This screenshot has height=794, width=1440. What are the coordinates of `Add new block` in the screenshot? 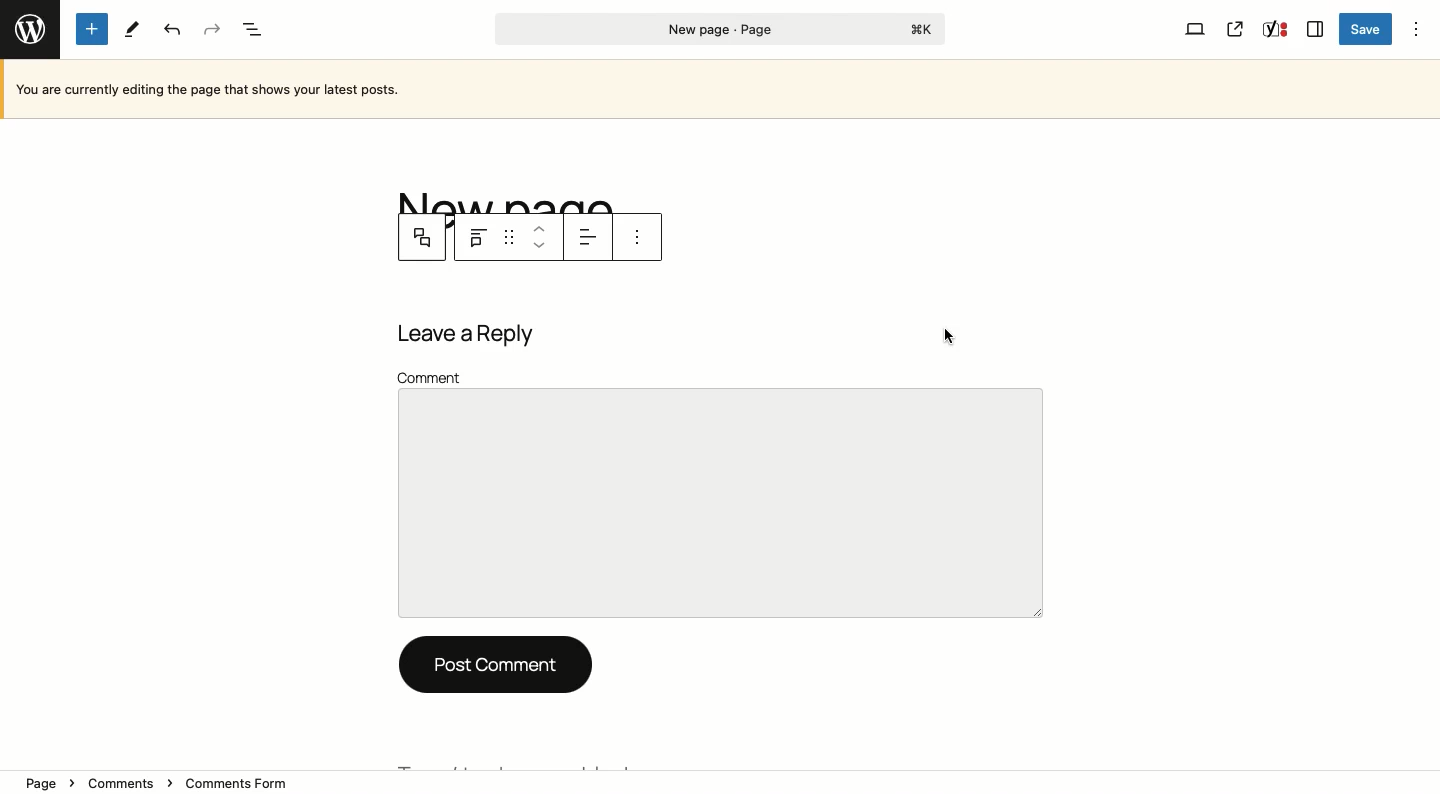 It's located at (91, 31).